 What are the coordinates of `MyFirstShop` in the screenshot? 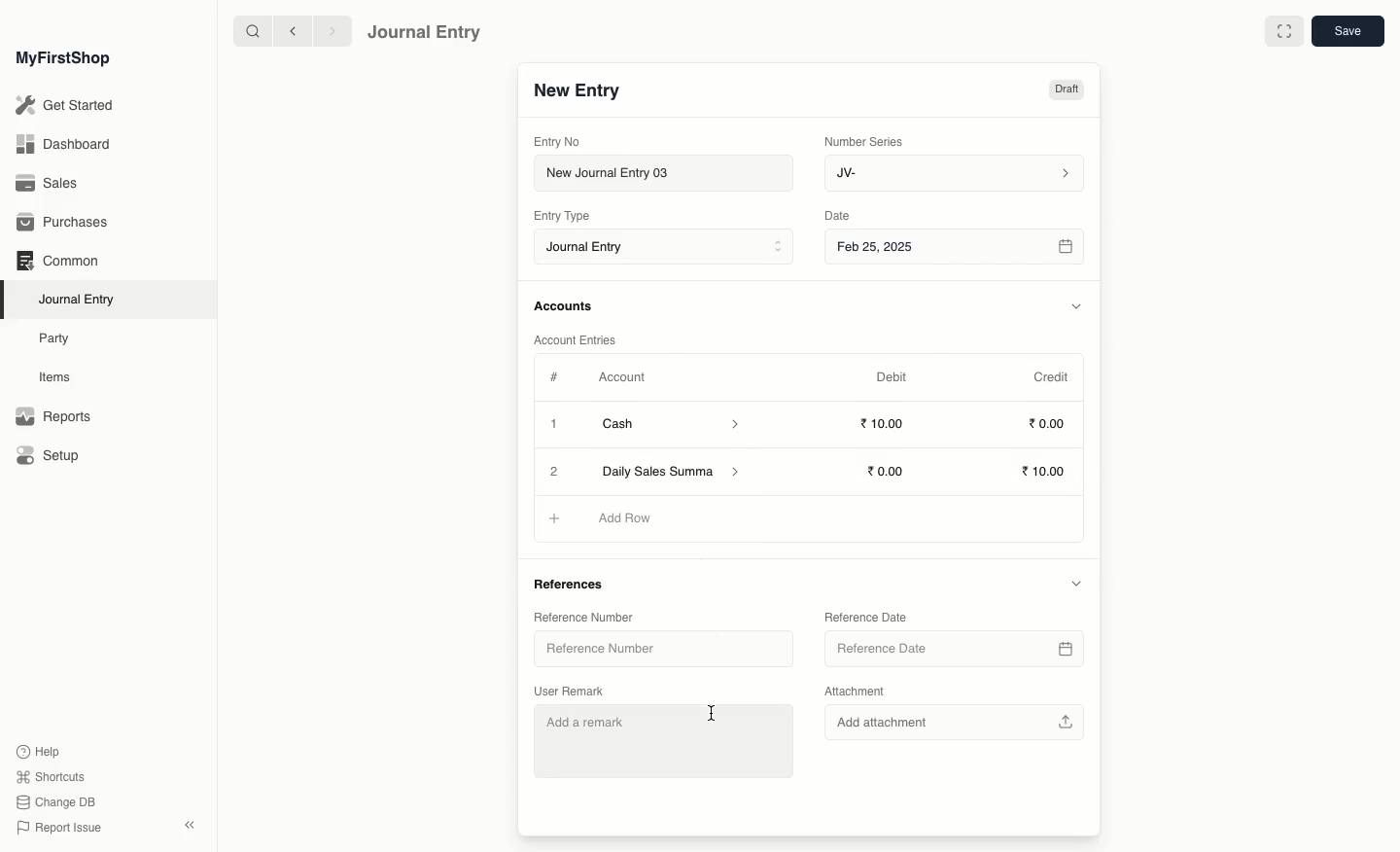 It's located at (61, 59).